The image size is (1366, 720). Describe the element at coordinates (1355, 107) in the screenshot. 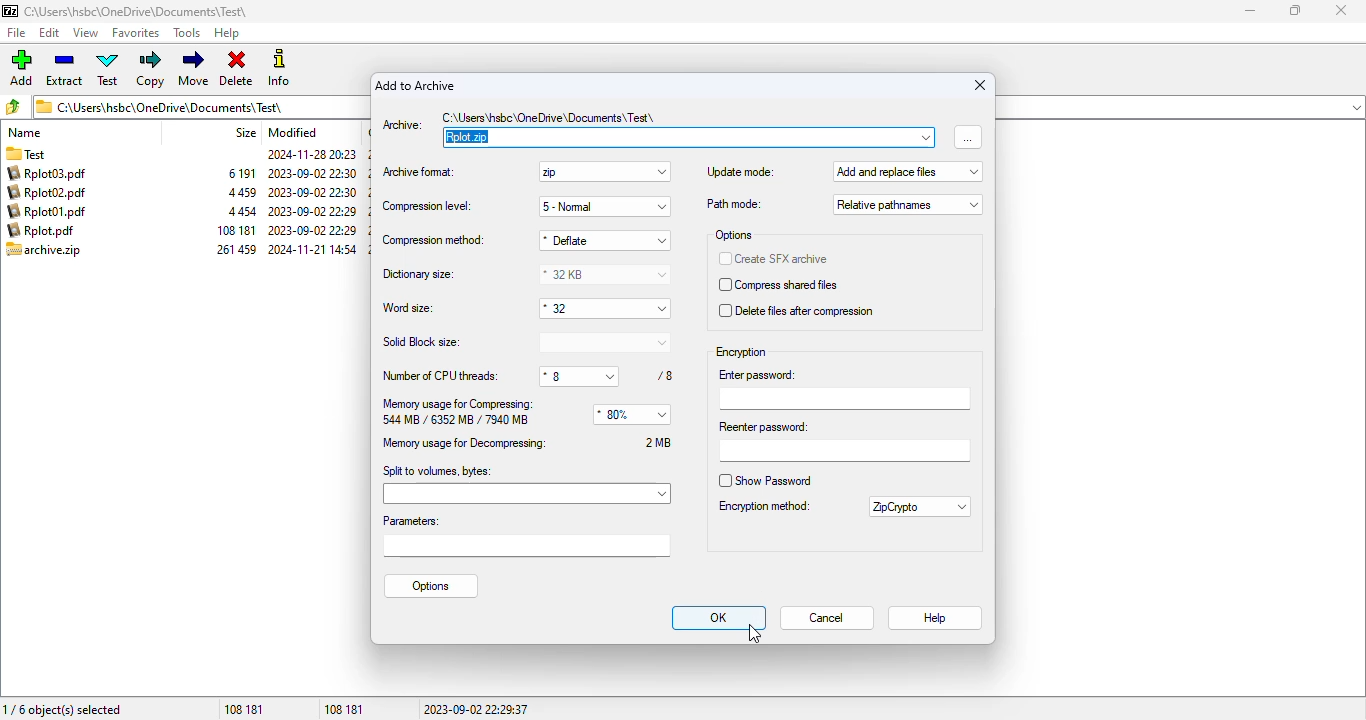

I see `dropdown` at that location.